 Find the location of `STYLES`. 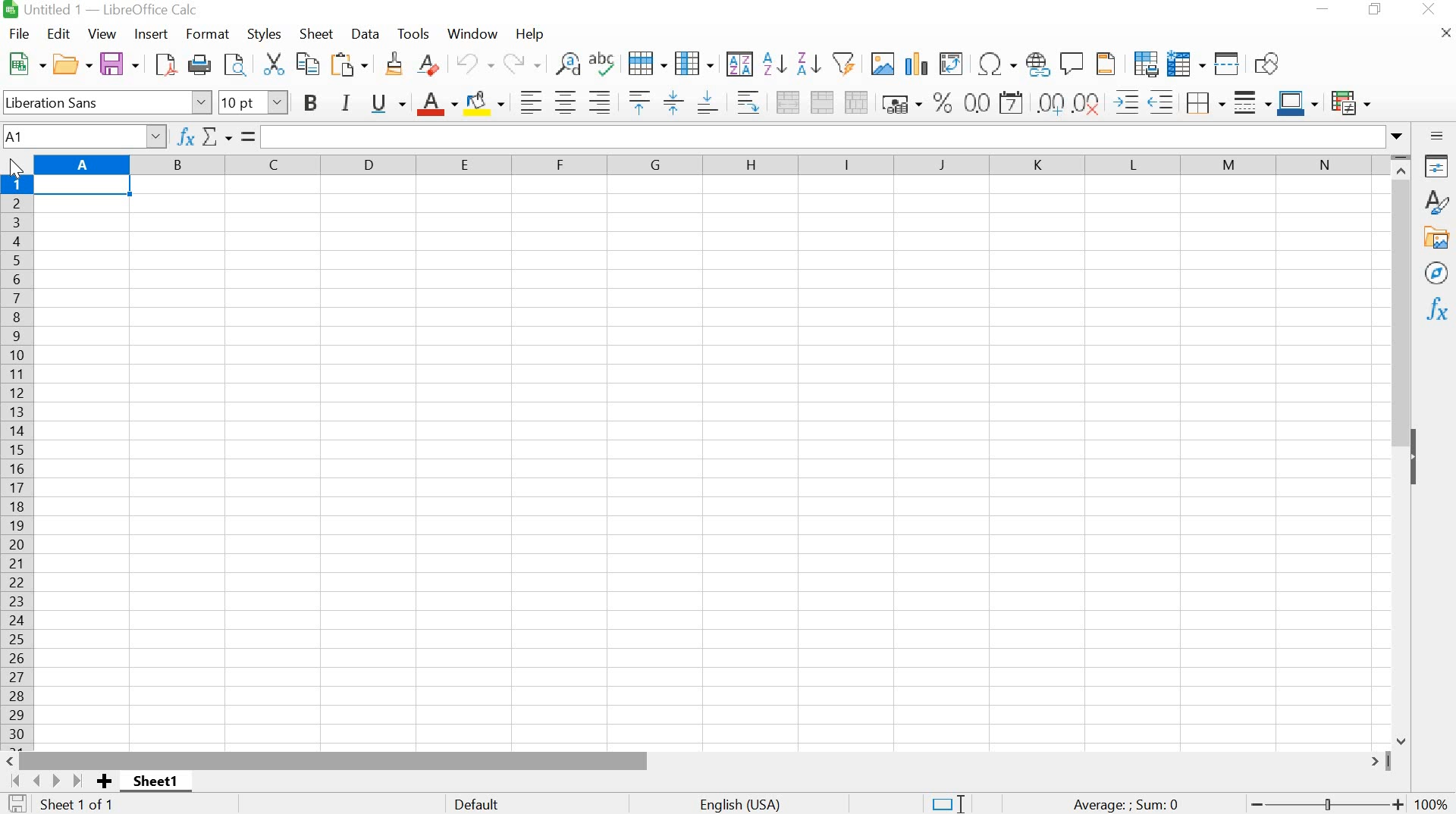

STYLES is located at coordinates (264, 33).